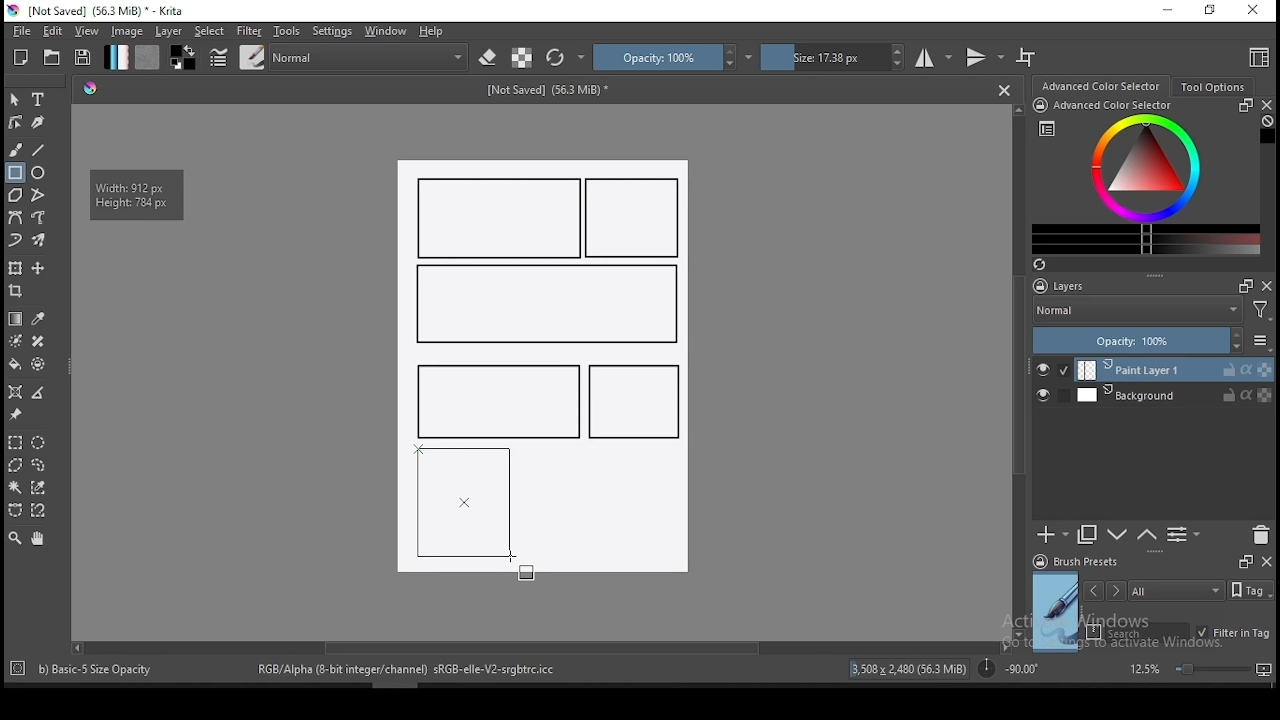 This screenshot has width=1280, height=720. I want to click on scroll bar, so click(539, 646).